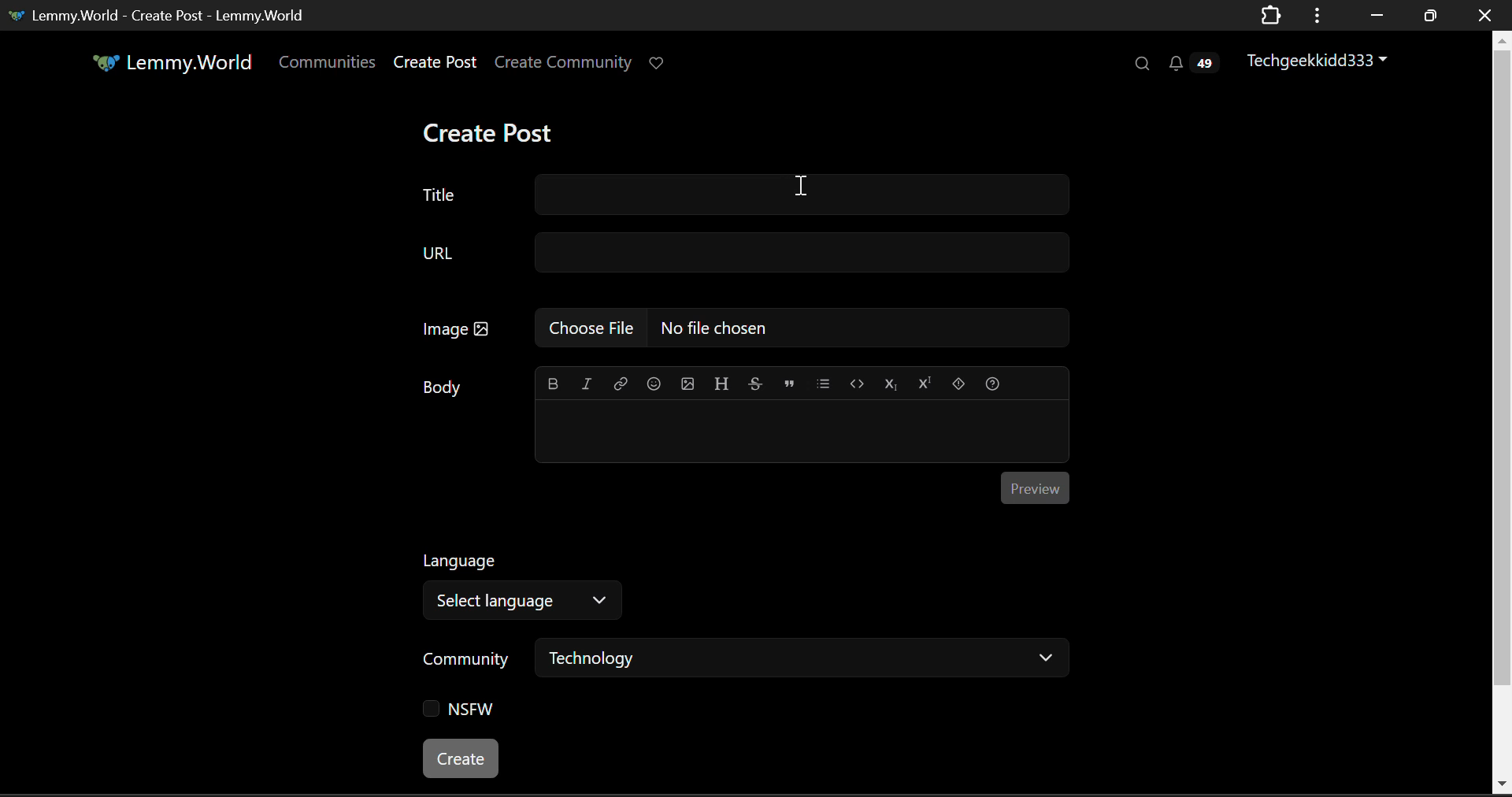 This screenshot has width=1512, height=797. What do you see at coordinates (1373, 13) in the screenshot?
I see `Restore Down` at bounding box center [1373, 13].